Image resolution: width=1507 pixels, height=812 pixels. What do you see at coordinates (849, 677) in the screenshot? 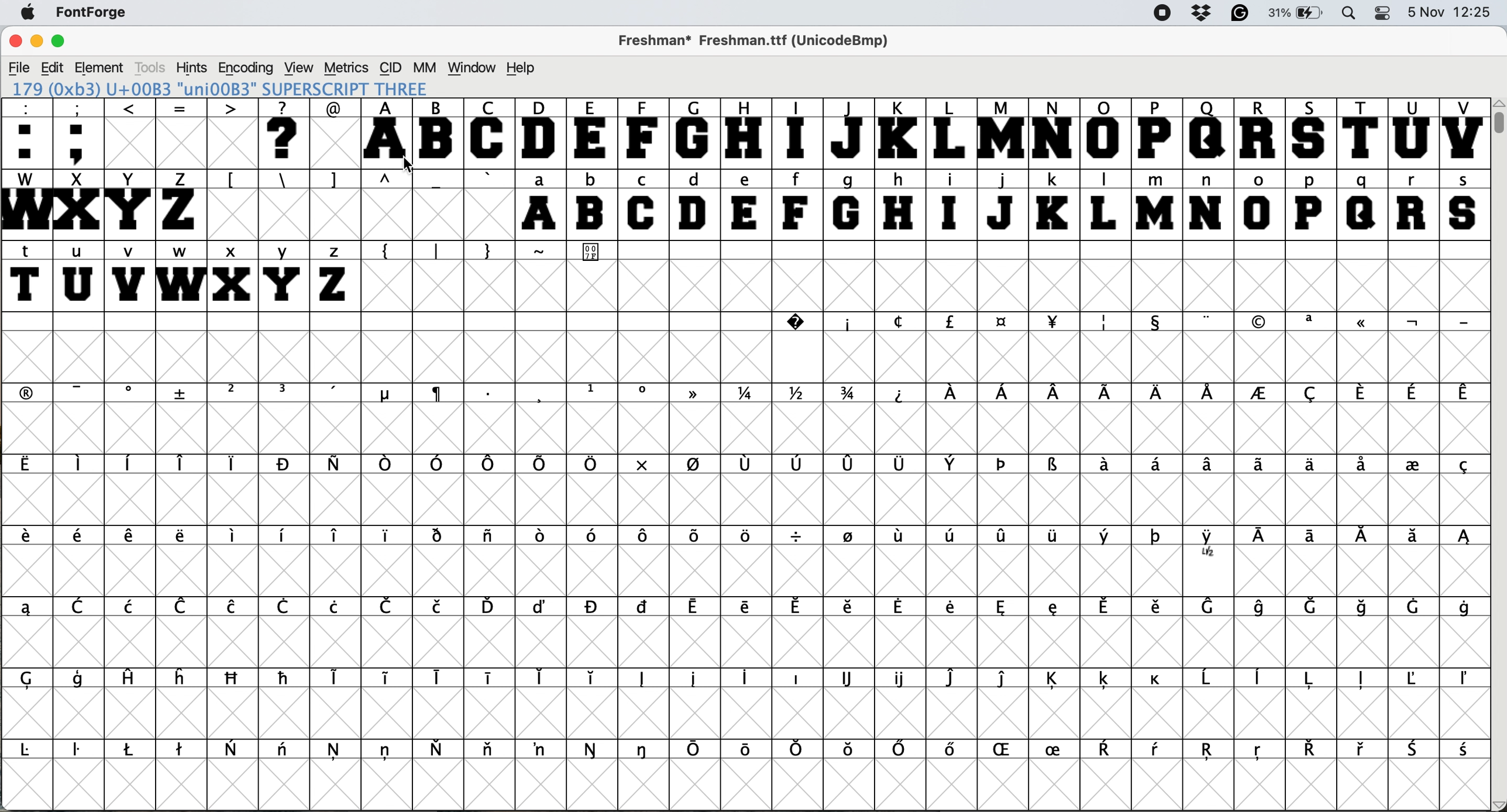
I see `symbol` at bounding box center [849, 677].